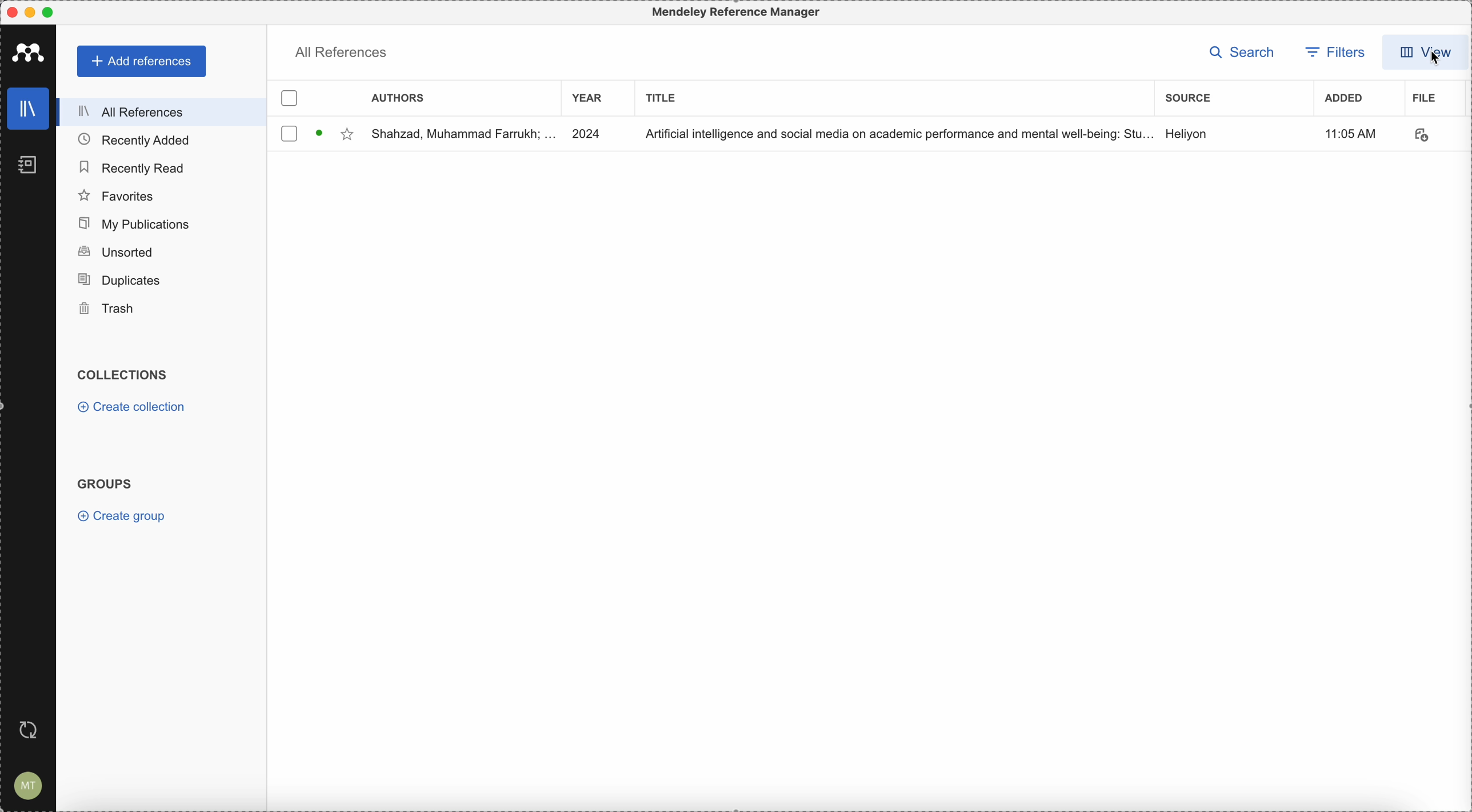 The image size is (1472, 812). What do you see at coordinates (1422, 137) in the screenshot?
I see `download document` at bounding box center [1422, 137].